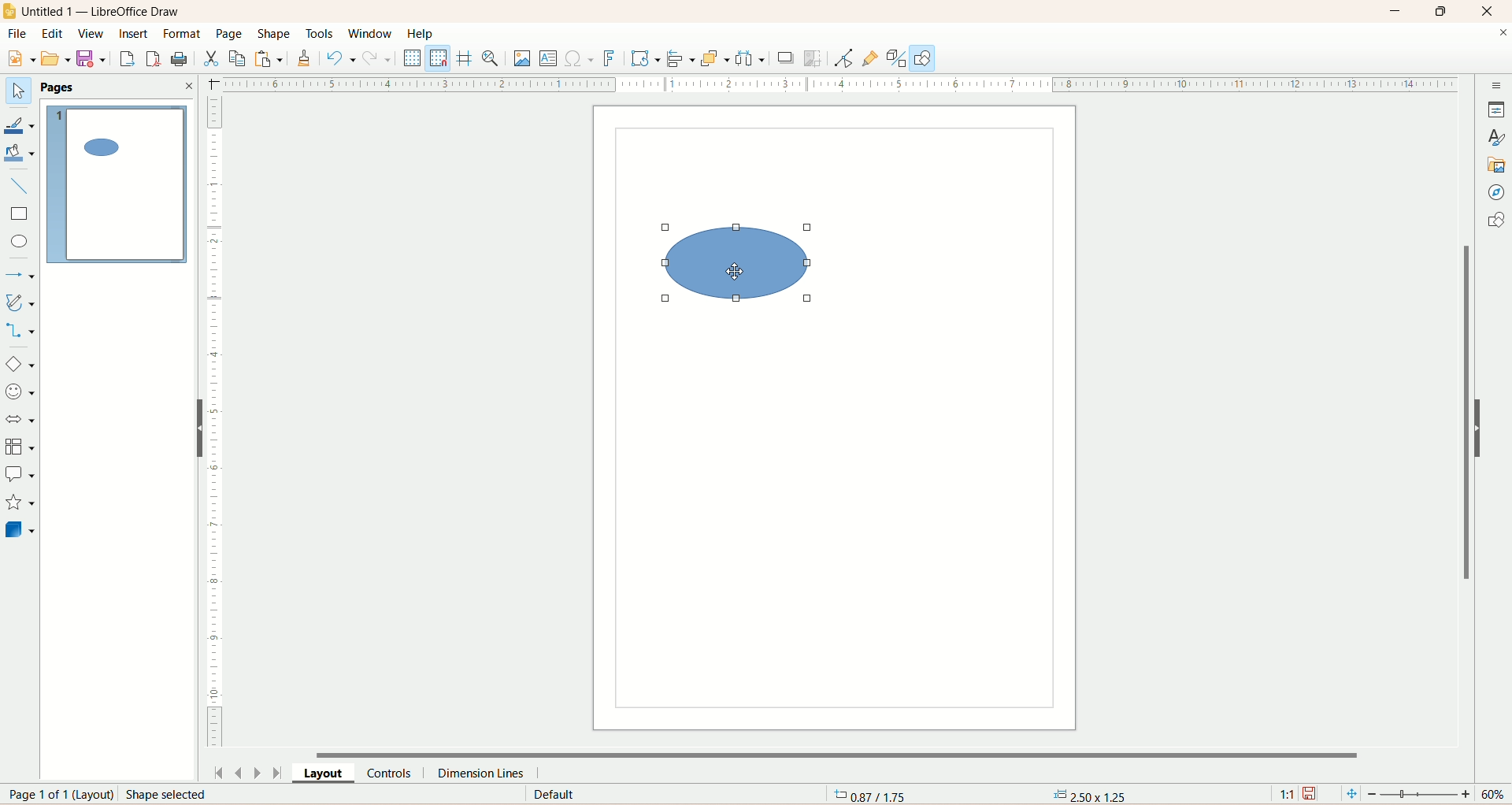  I want to click on rectangle, so click(21, 213).